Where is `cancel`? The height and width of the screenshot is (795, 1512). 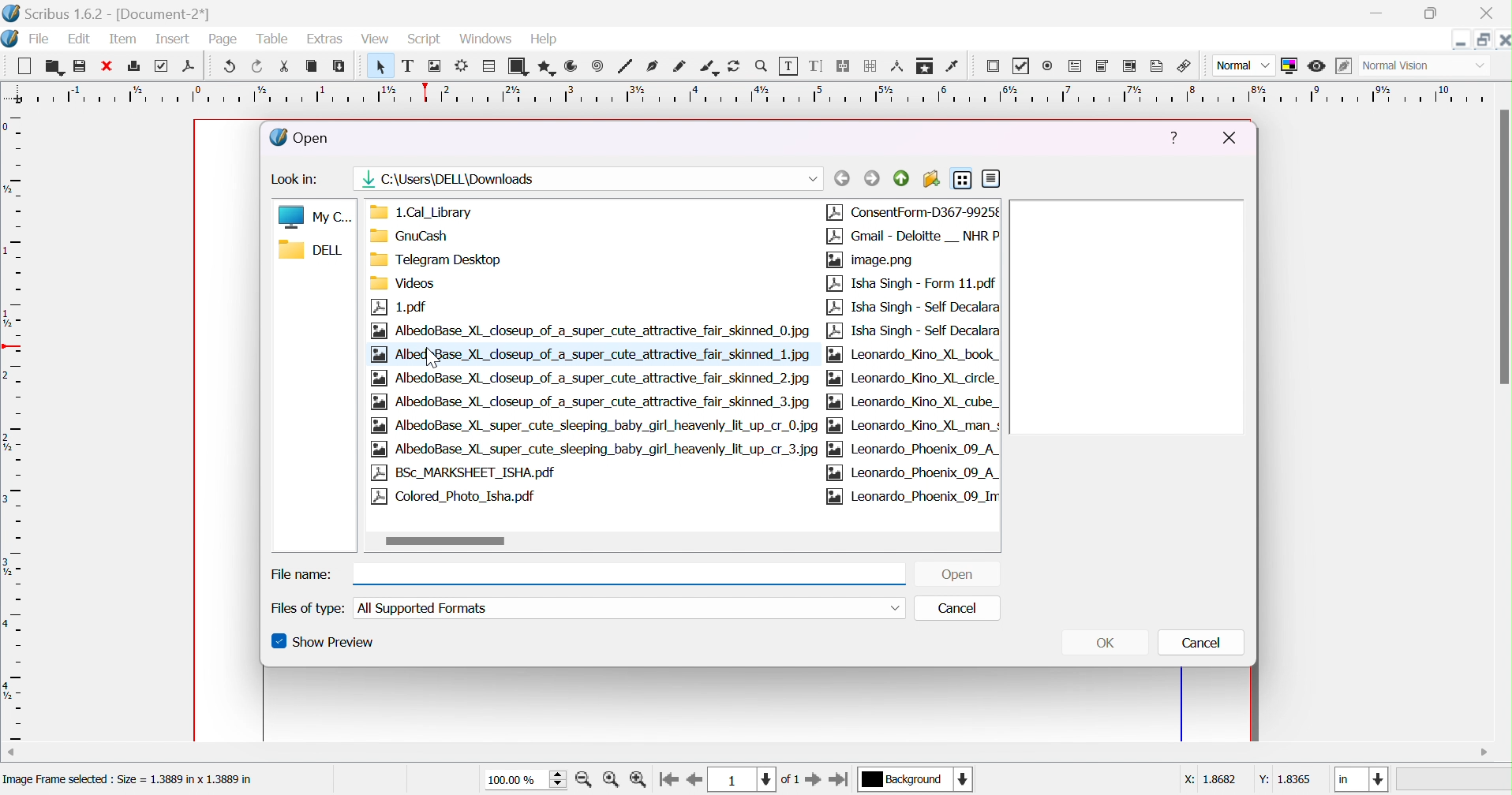
cancel is located at coordinates (1200, 642).